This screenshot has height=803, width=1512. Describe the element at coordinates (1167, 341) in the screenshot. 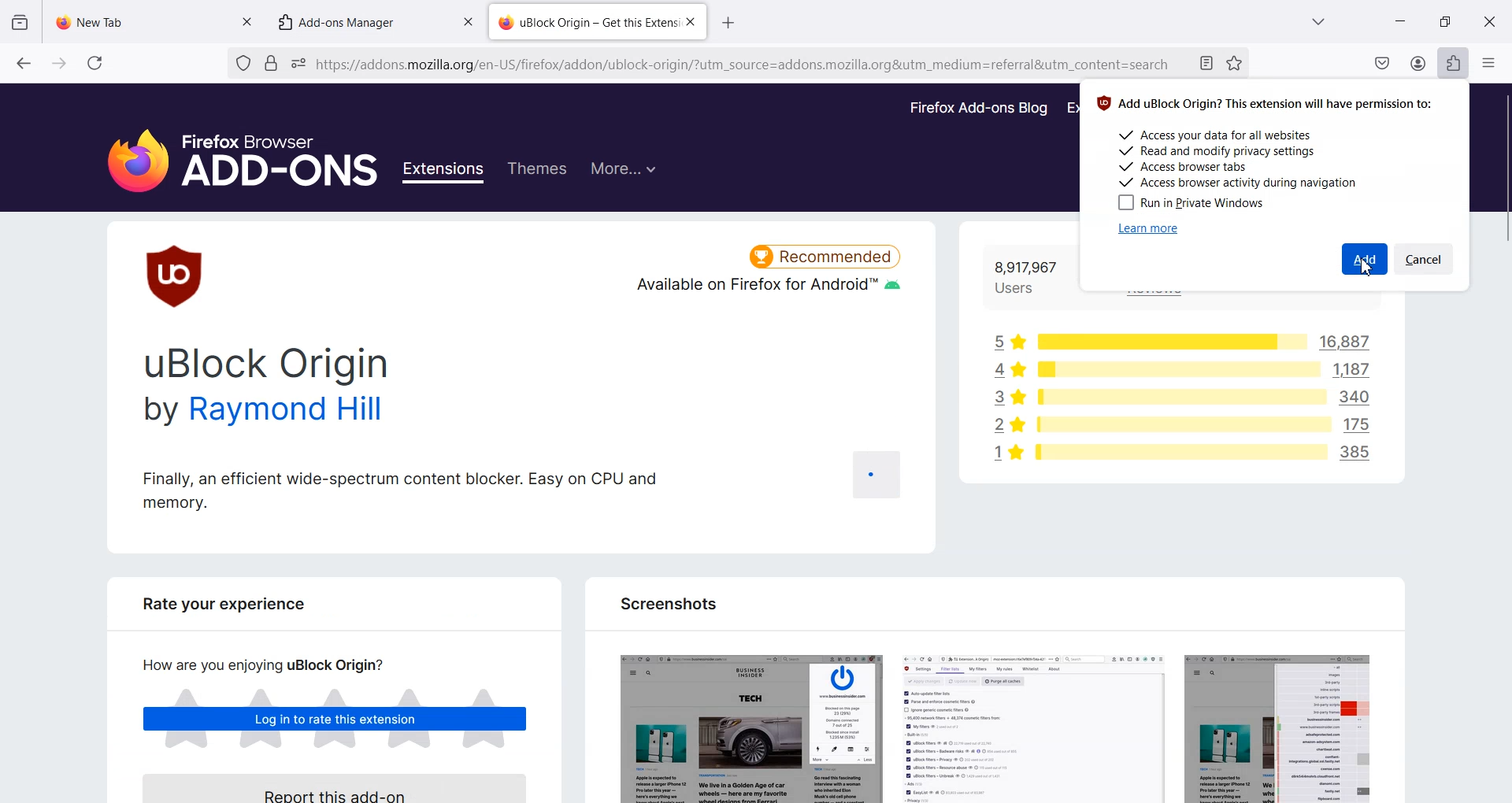

I see `rating bar` at that location.